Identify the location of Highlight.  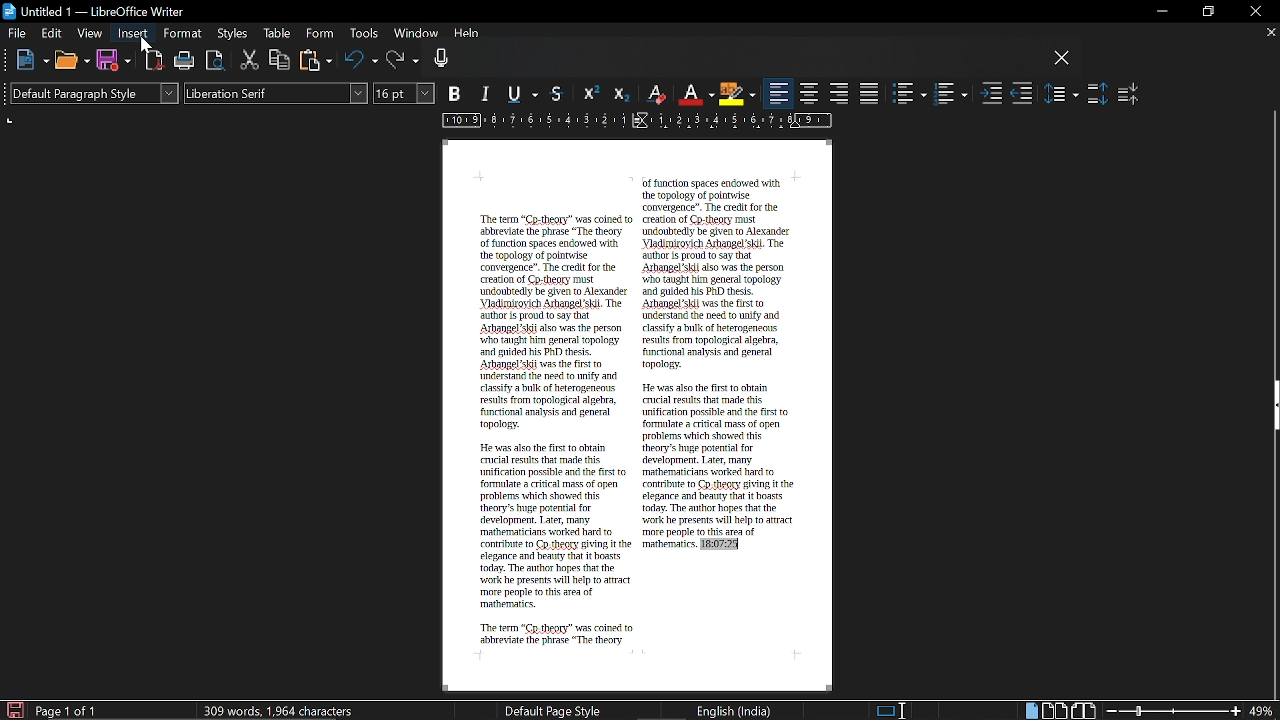
(736, 93).